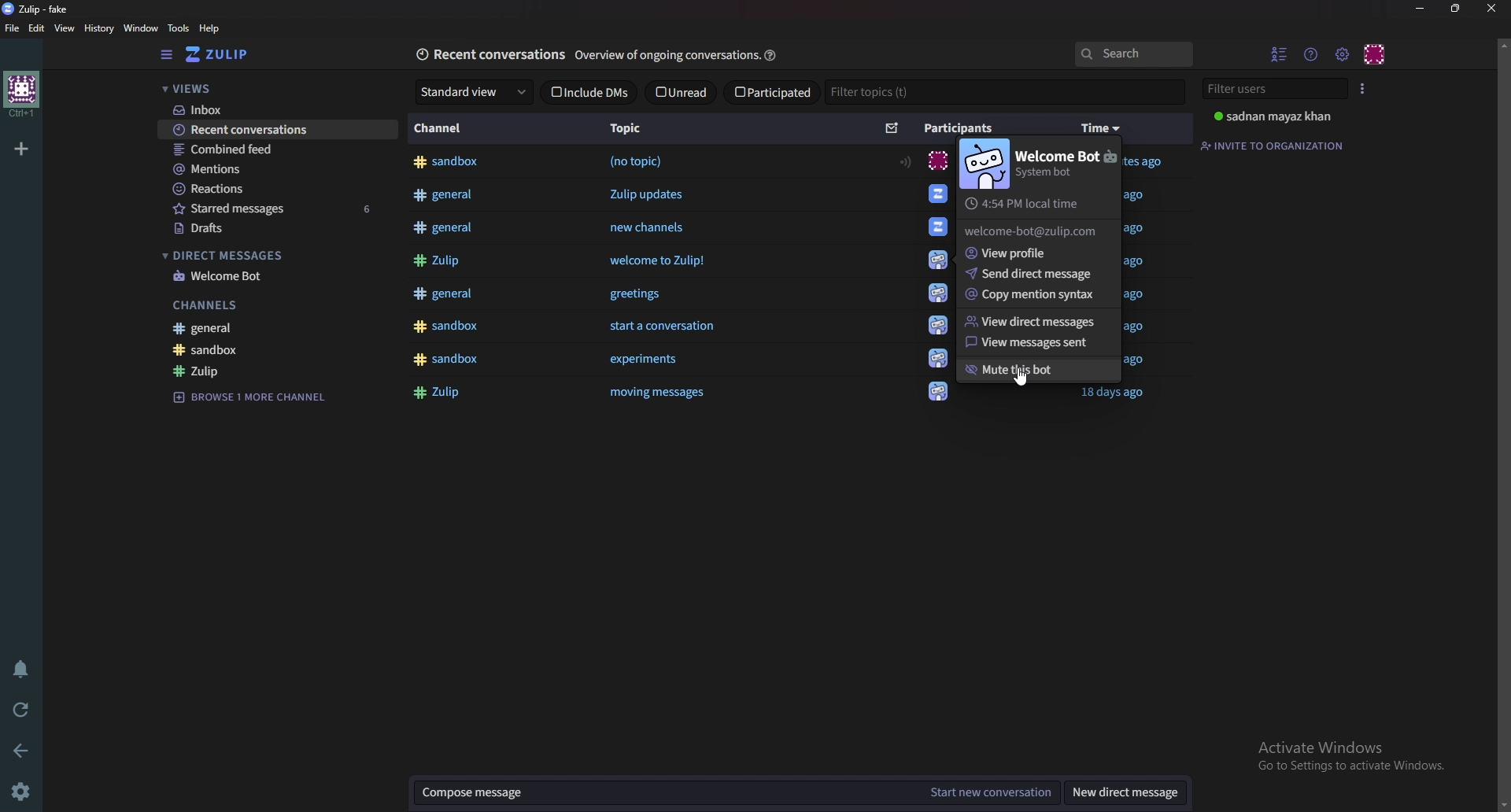 The image size is (1511, 812). I want to click on Welcome Bot., so click(932, 226).